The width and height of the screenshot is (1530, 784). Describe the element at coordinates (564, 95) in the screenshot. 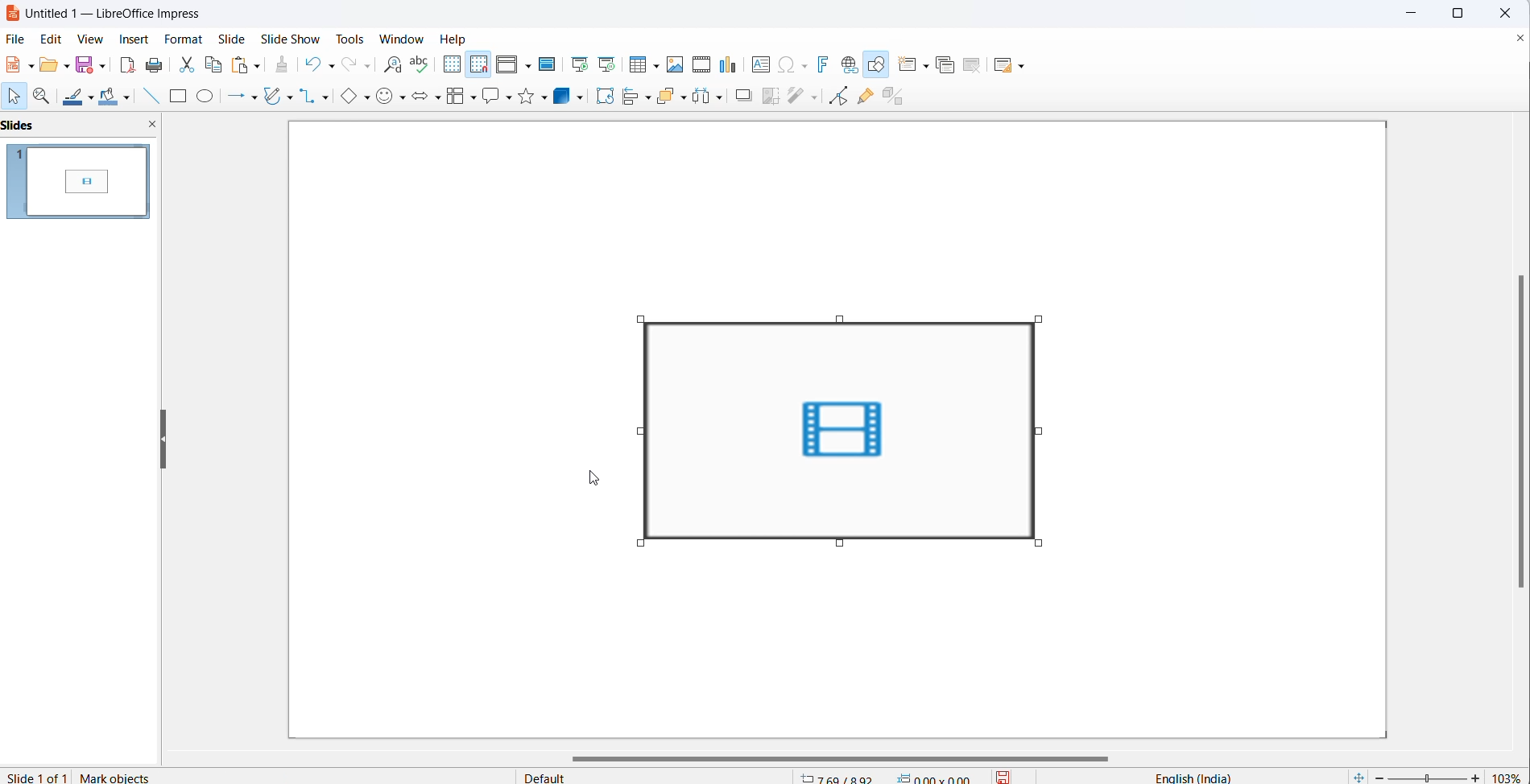

I see `3d object` at that location.